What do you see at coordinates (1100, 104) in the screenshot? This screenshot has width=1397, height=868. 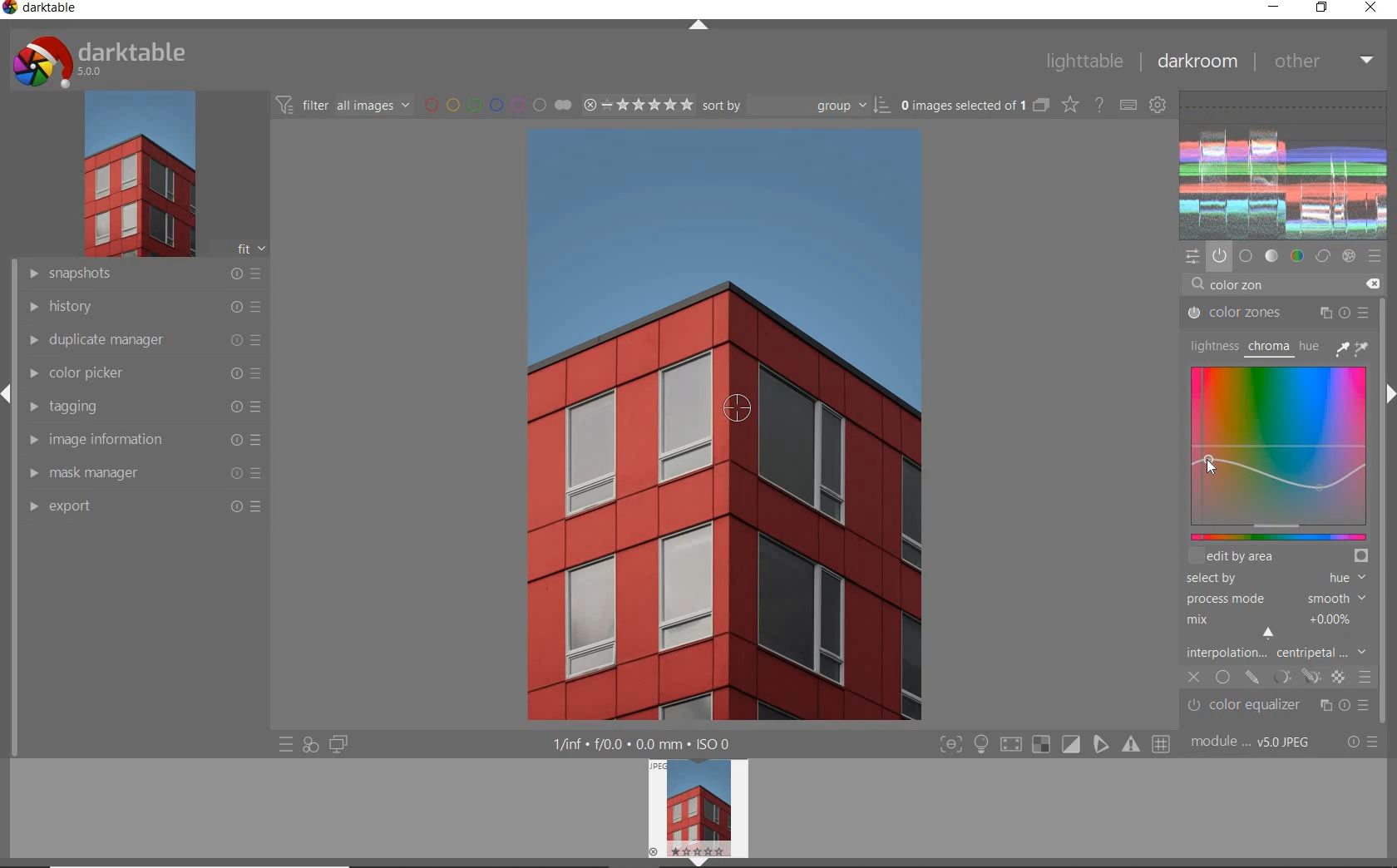 I see `enable for online help` at bounding box center [1100, 104].